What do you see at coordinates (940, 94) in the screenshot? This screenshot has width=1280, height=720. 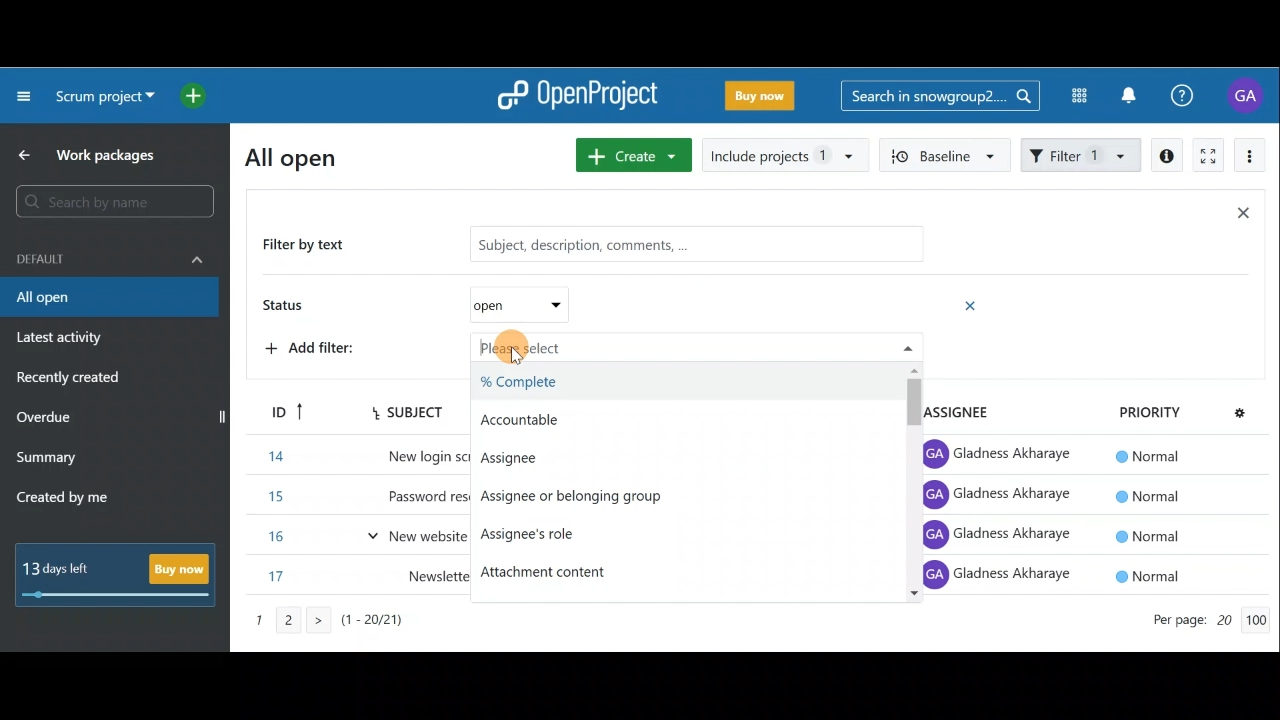 I see `Search bar` at bounding box center [940, 94].